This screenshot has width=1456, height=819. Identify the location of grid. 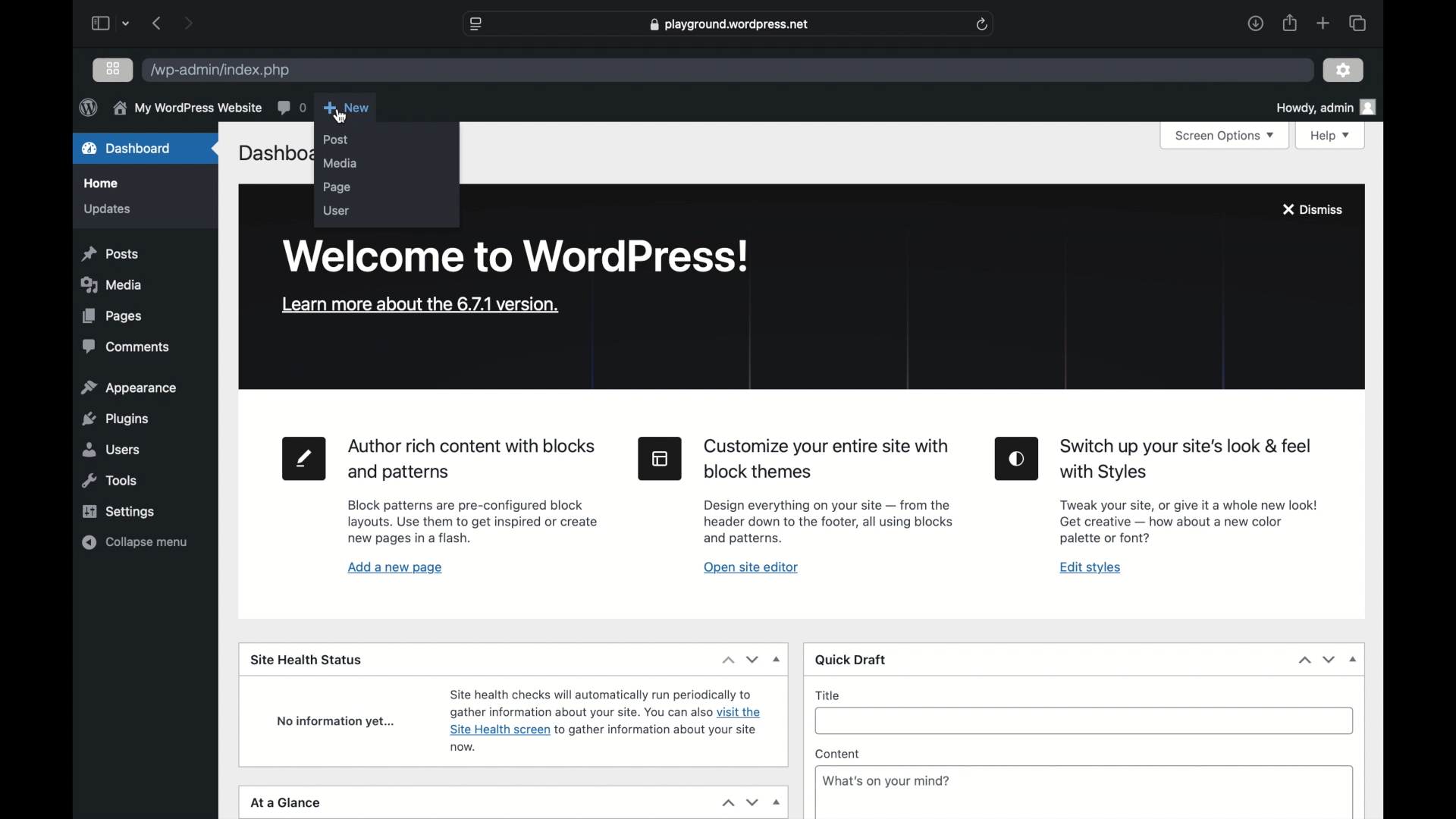
(113, 68).